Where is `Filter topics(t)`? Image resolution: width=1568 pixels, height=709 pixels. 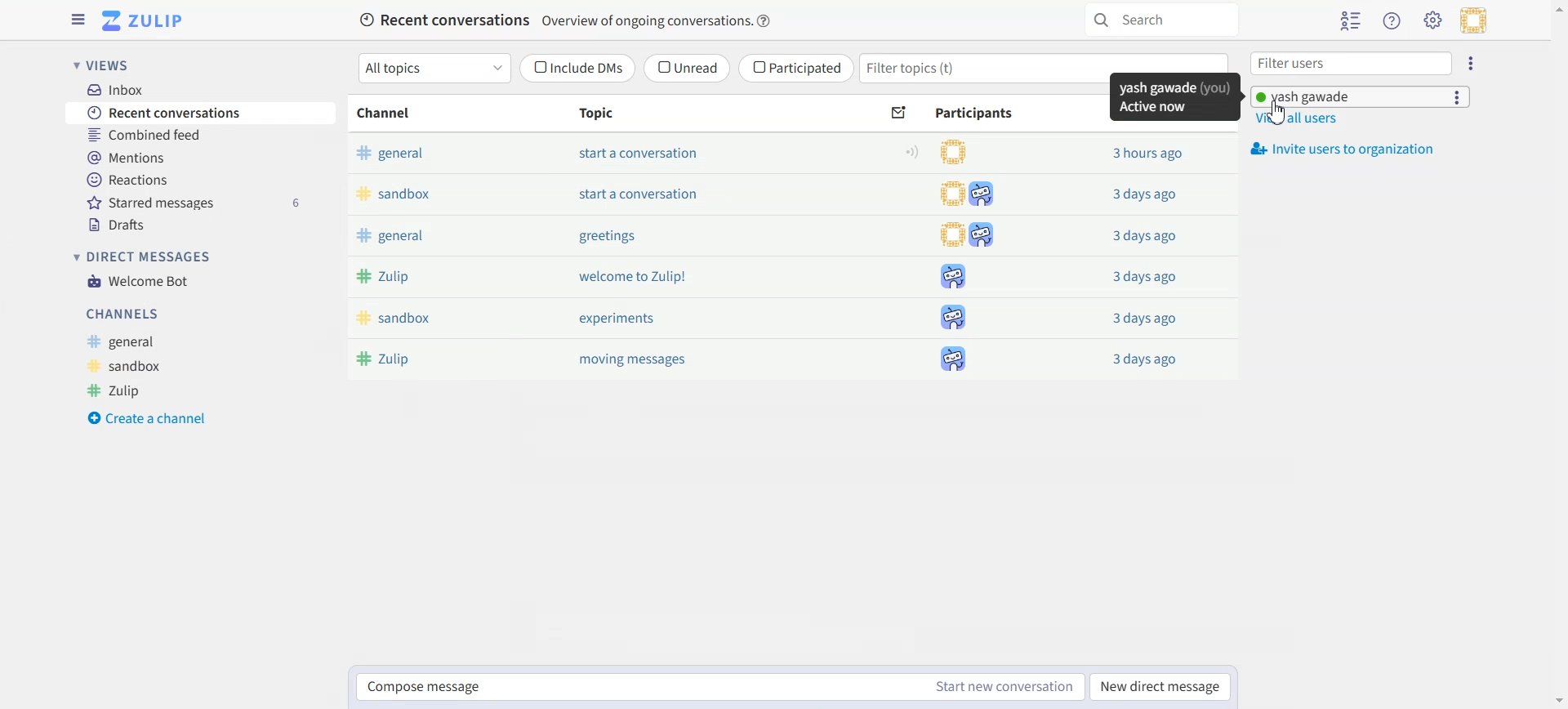
Filter topics(t) is located at coordinates (965, 69).